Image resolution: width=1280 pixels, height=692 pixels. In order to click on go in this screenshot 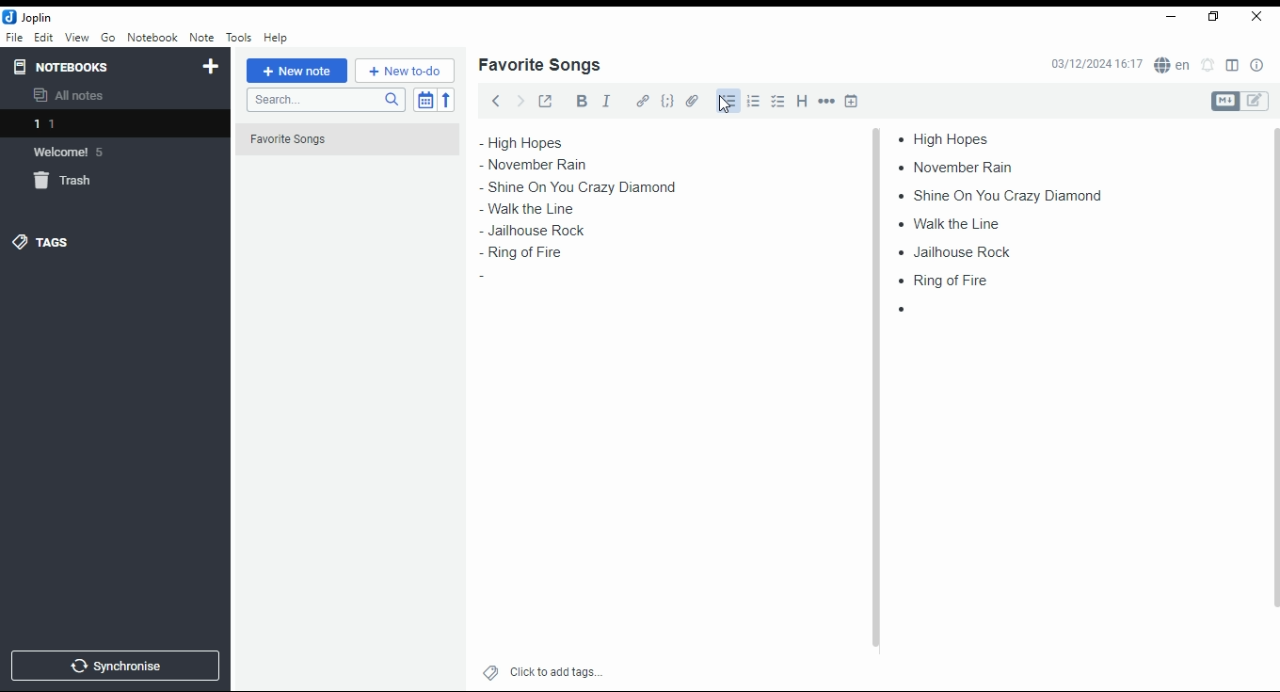, I will do `click(110, 40)`.